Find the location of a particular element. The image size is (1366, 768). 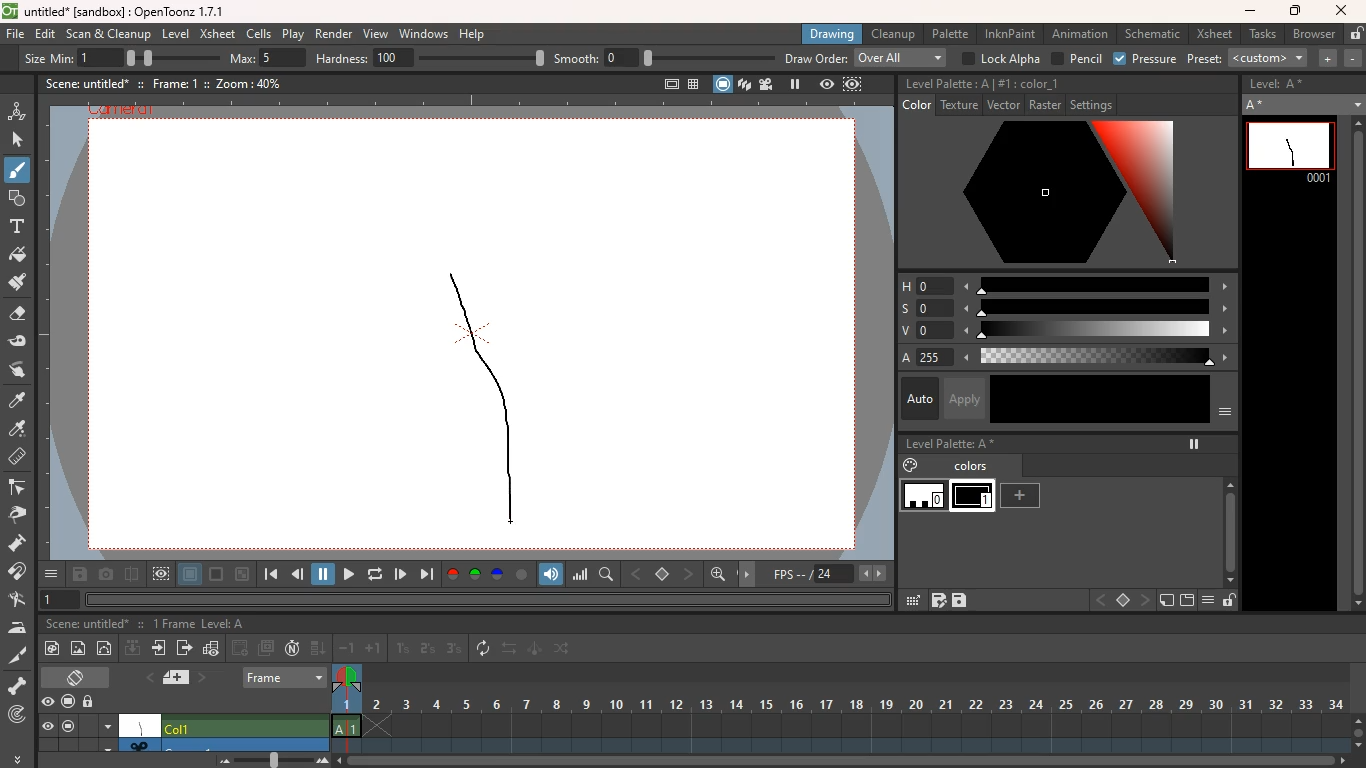

A * is located at coordinates (1303, 104).